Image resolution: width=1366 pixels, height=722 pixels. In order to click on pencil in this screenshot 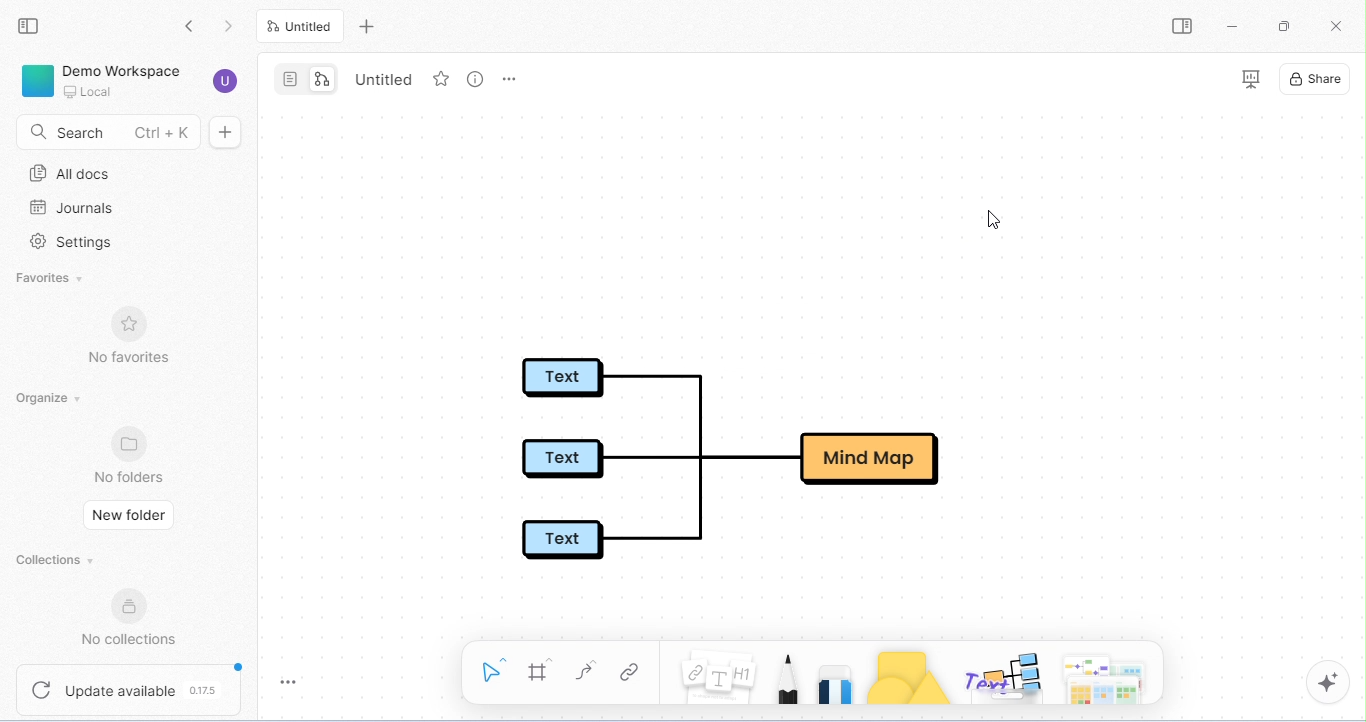, I will do `click(787, 676)`.